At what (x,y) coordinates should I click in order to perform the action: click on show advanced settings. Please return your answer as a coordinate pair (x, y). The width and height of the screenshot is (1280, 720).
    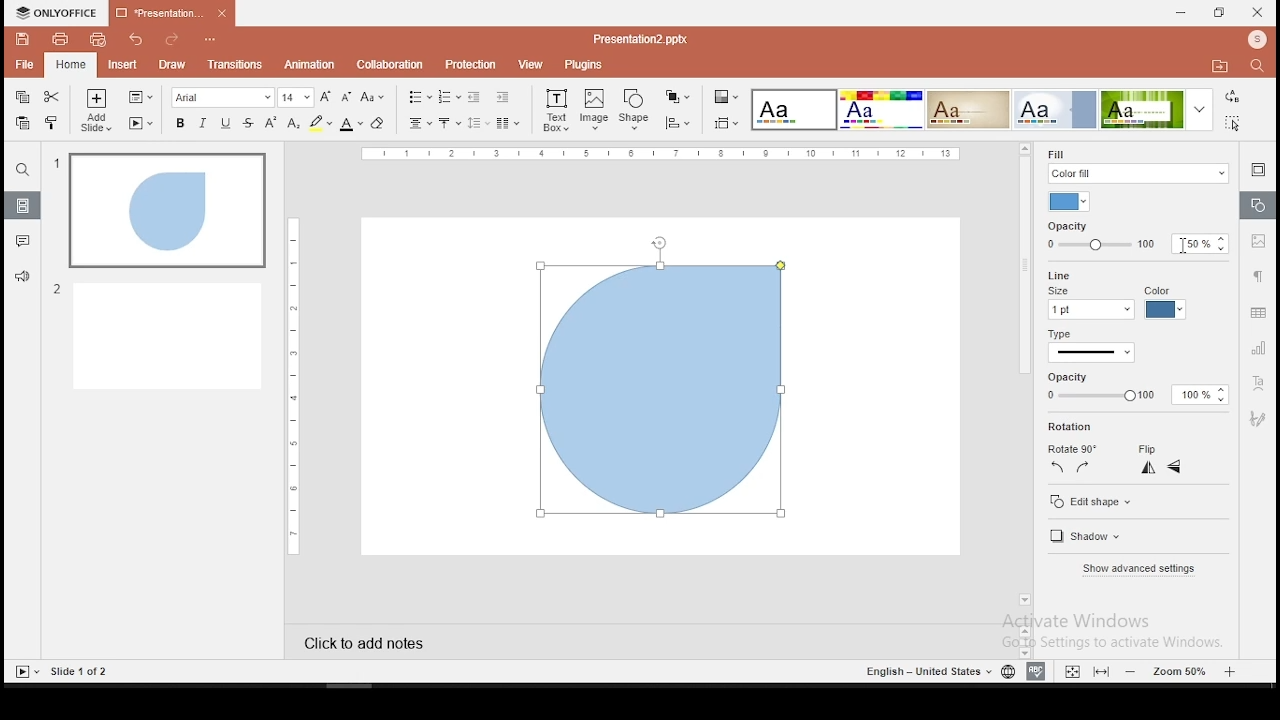
    Looking at the image, I should click on (1138, 569).